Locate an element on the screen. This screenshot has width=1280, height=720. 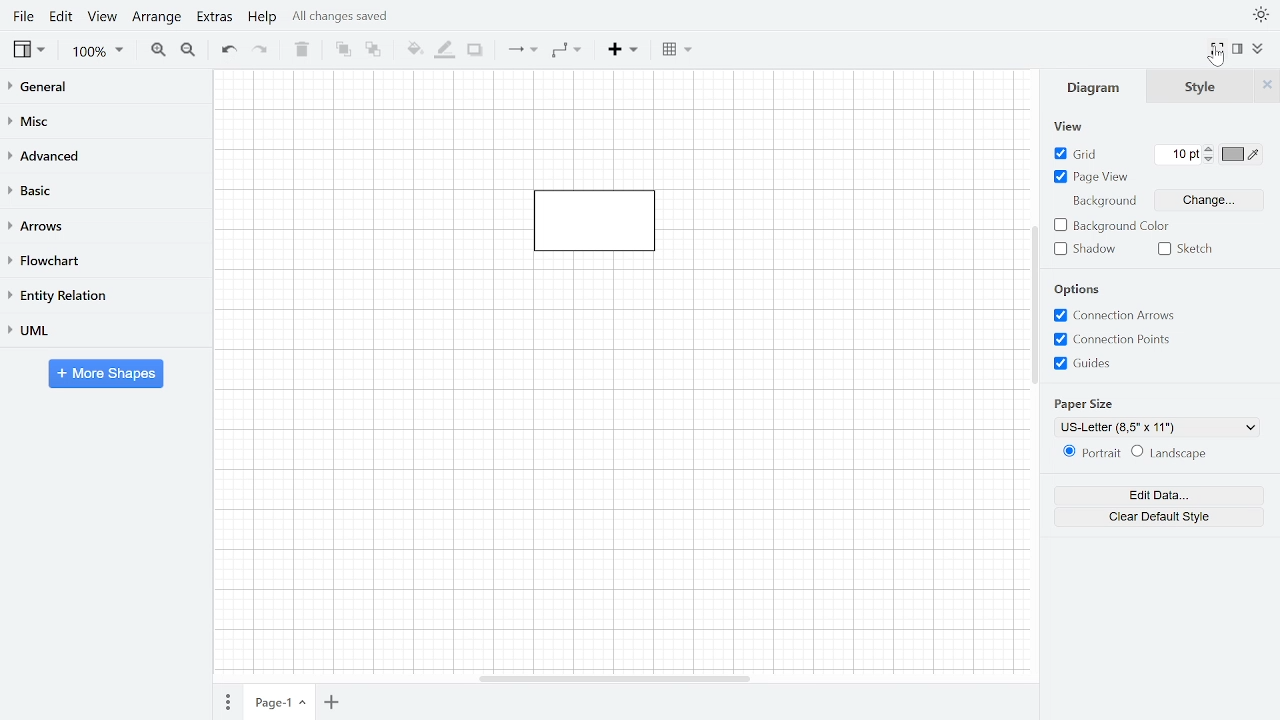
CLose is located at coordinates (1268, 86).